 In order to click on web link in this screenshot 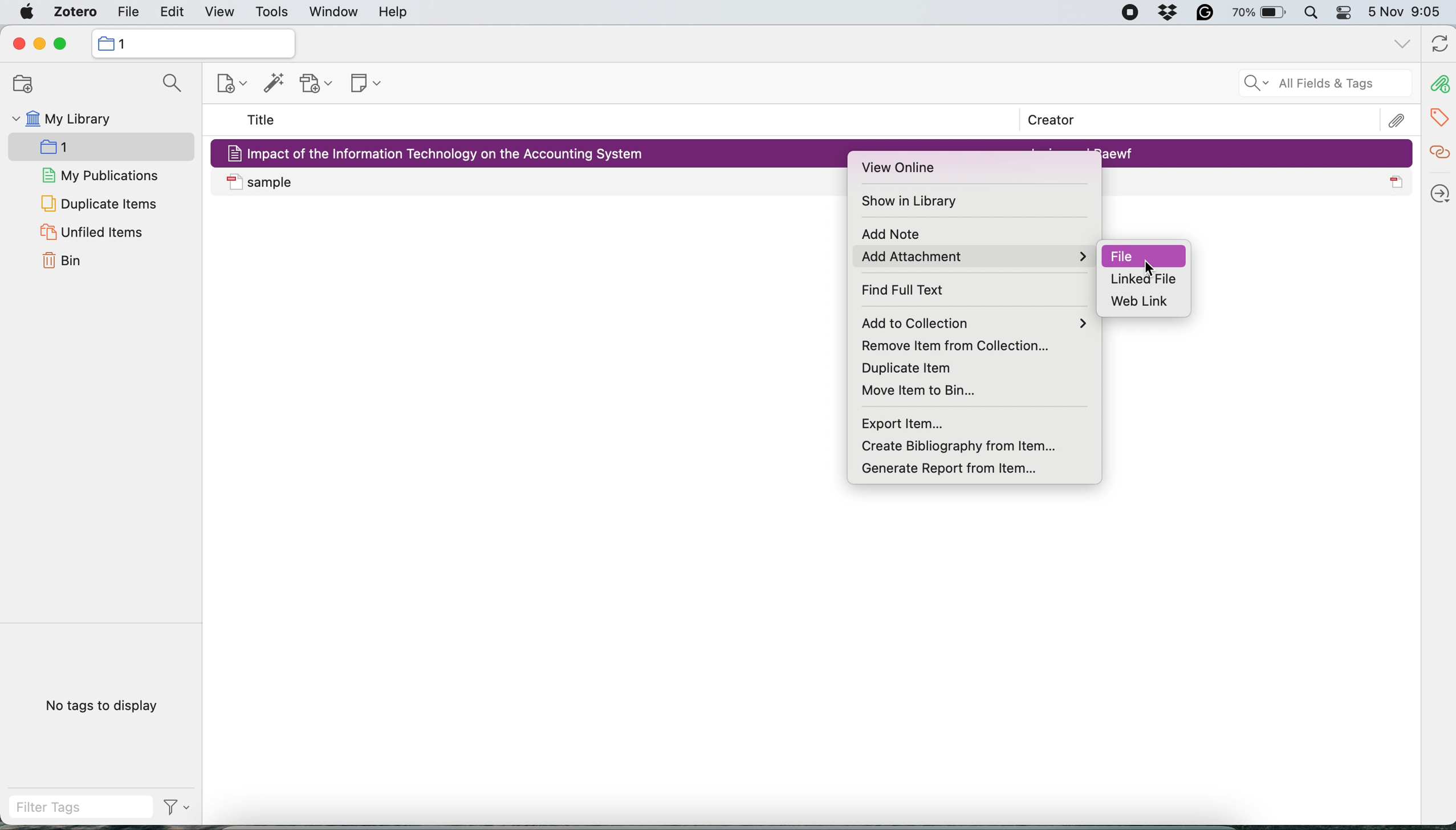, I will do `click(1143, 302)`.